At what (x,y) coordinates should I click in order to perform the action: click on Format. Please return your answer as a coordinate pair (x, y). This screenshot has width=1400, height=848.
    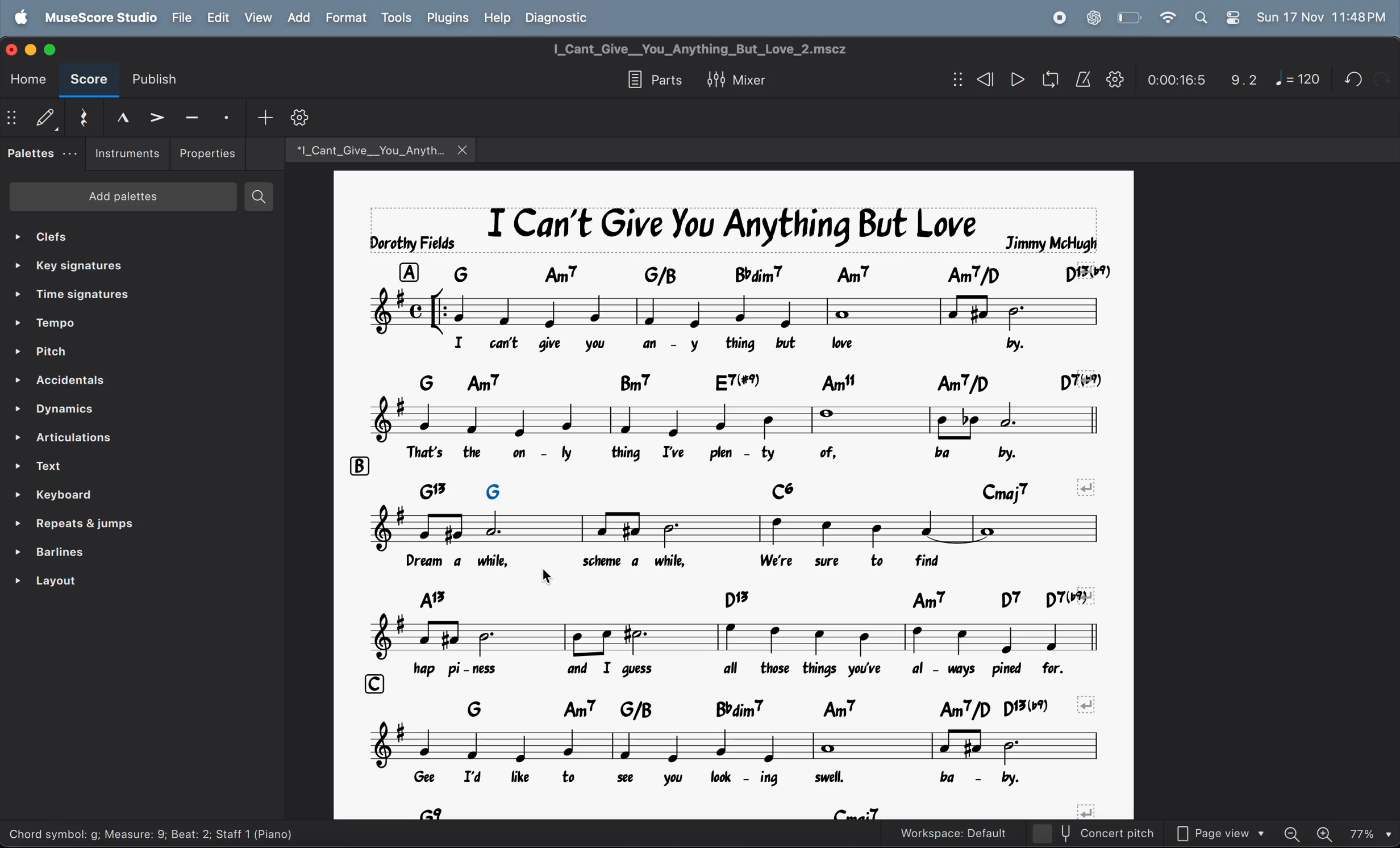
    Looking at the image, I should click on (348, 16).